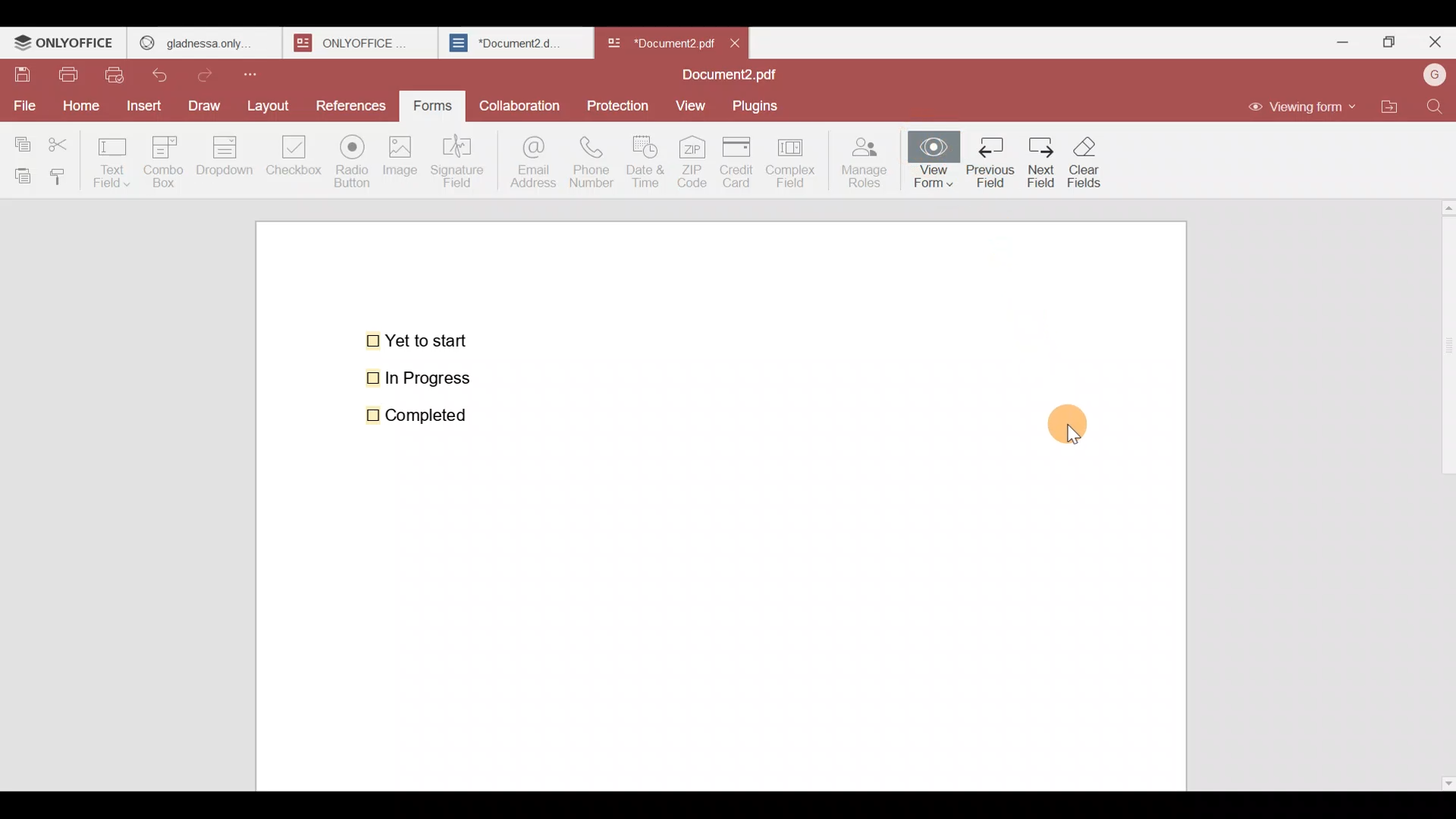 Image resolution: width=1456 pixels, height=819 pixels. I want to click on Signature field, so click(462, 159).